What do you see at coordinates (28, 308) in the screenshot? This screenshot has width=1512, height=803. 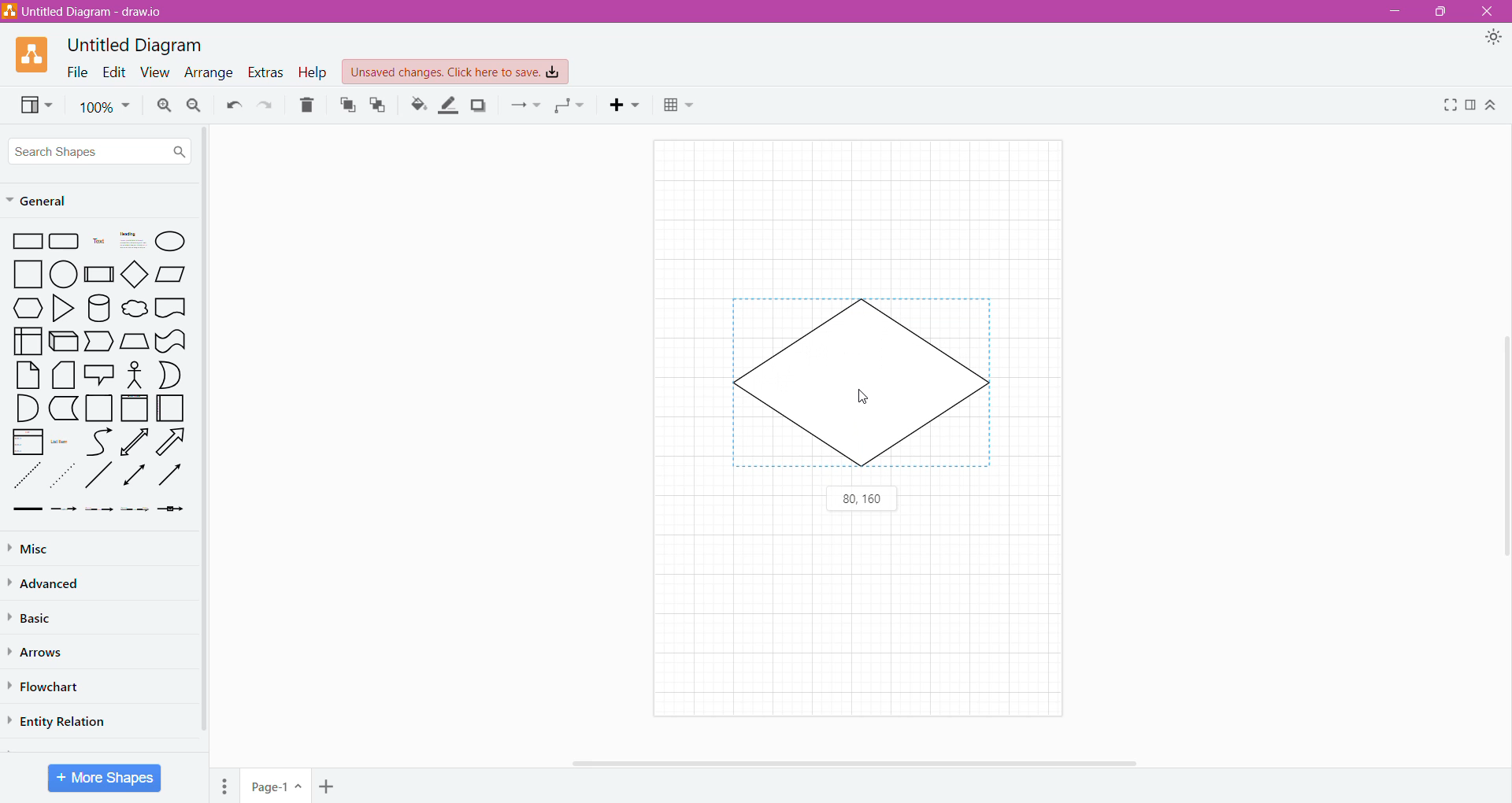 I see `Hexagon` at bounding box center [28, 308].